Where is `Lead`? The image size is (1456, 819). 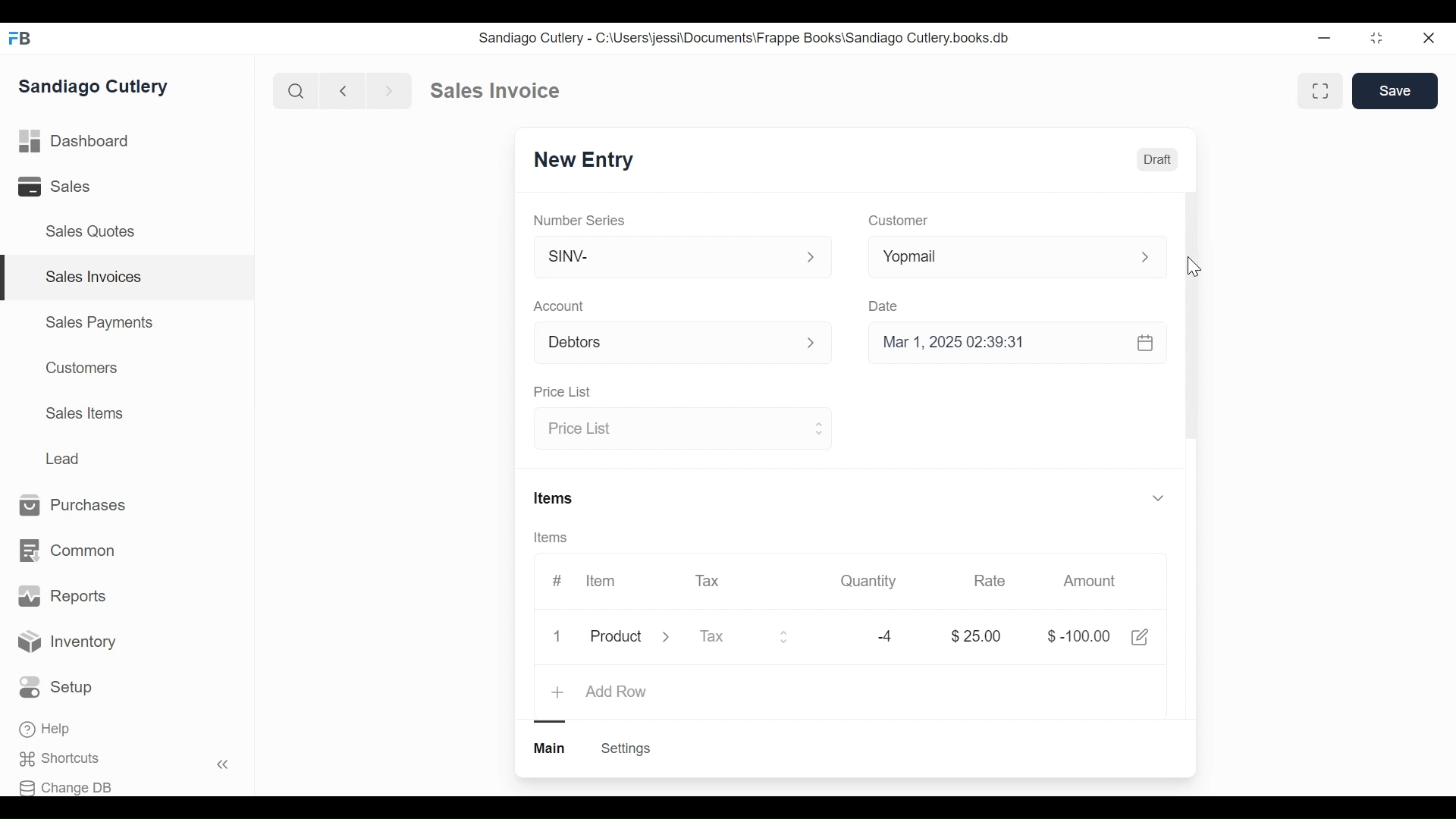
Lead is located at coordinates (64, 457).